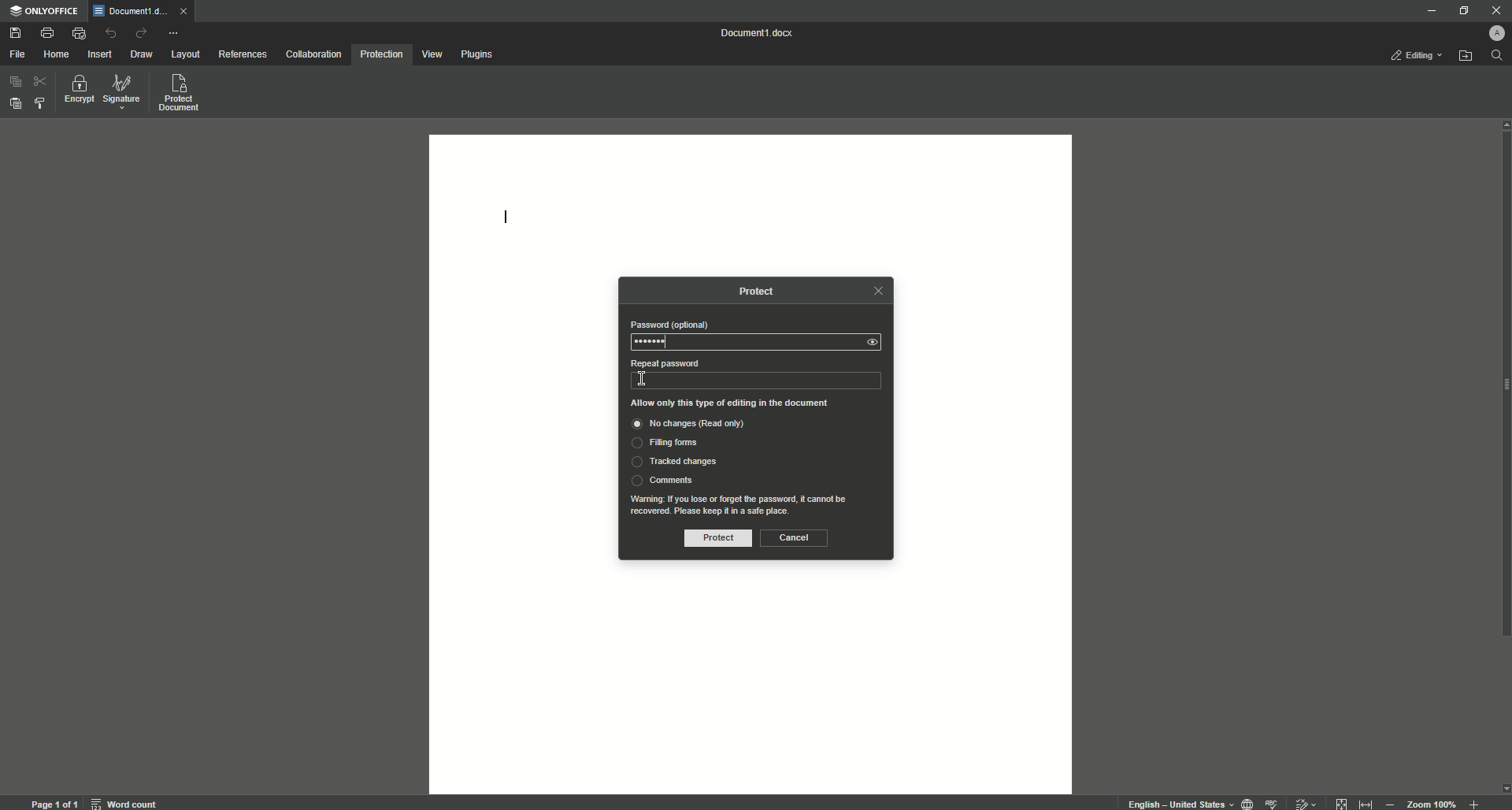  I want to click on Allow only this type of editing in the document, so click(736, 404).